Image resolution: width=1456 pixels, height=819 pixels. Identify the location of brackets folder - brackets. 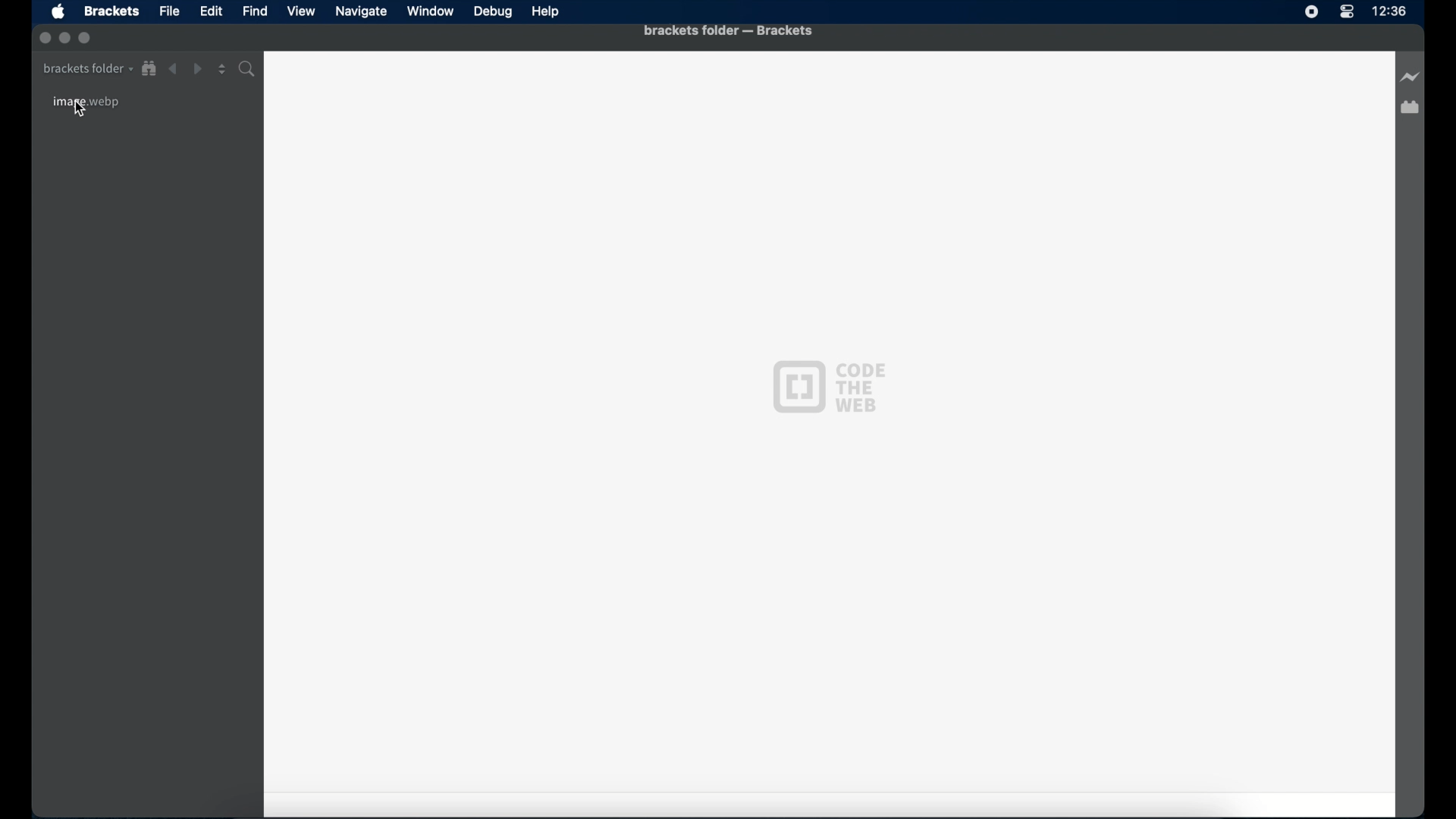
(728, 32).